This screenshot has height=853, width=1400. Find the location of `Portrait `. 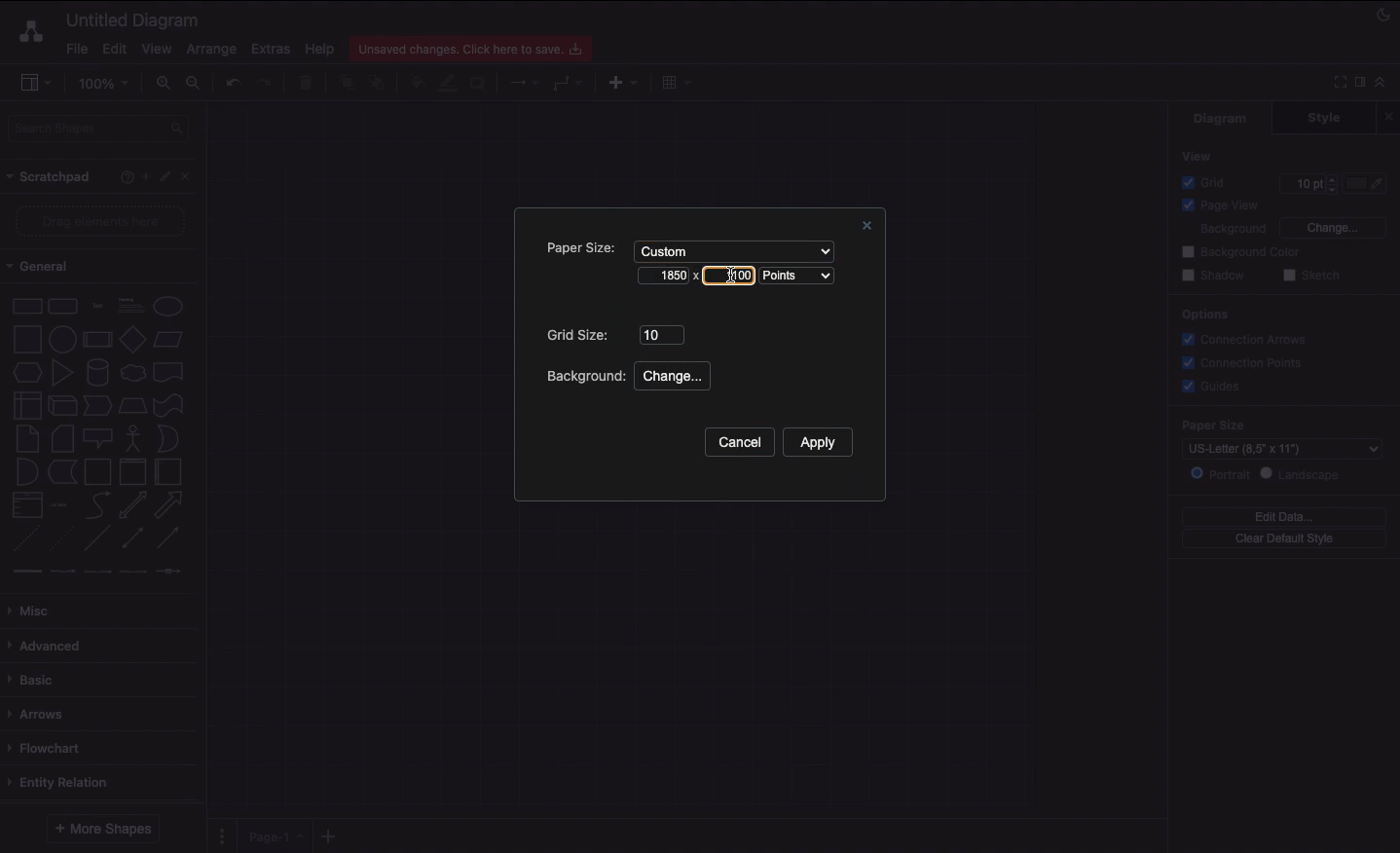

Portrait  is located at coordinates (1220, 473).